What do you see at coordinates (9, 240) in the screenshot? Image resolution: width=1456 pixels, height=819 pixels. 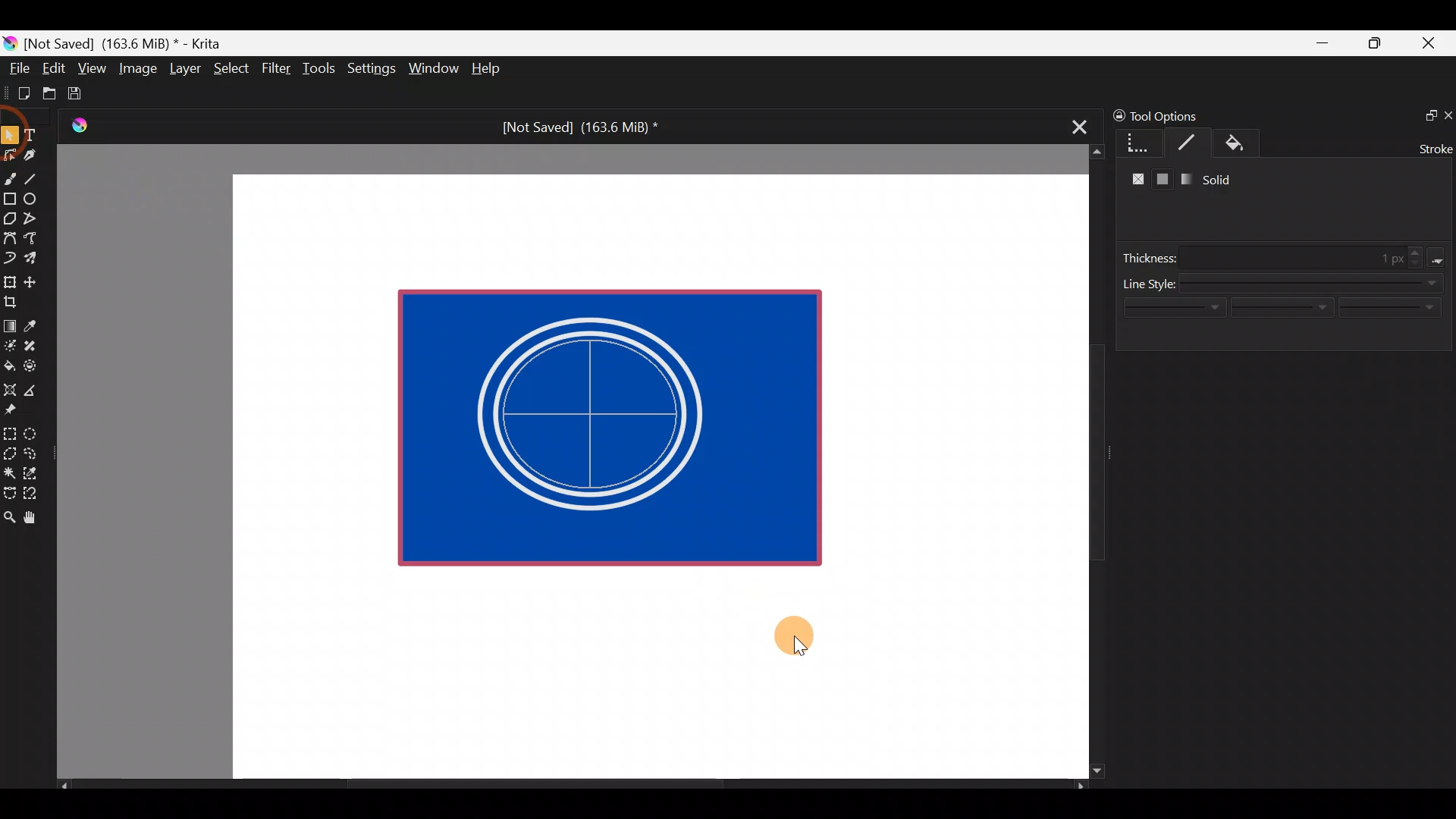 I see `Bezier curve tool` at bounding box center [9, 240].